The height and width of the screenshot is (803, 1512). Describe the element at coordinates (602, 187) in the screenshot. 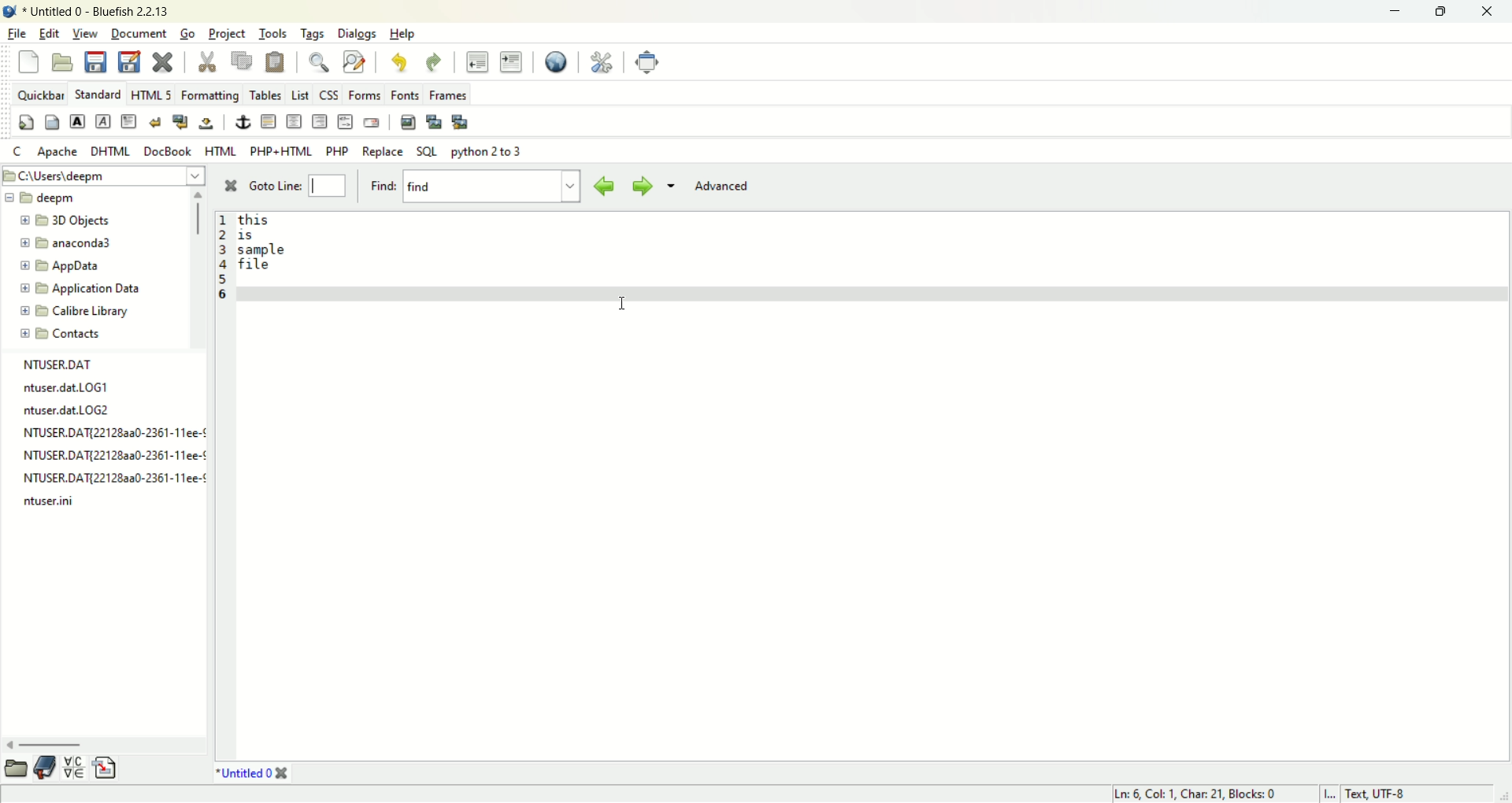

I see `previous` at that location.